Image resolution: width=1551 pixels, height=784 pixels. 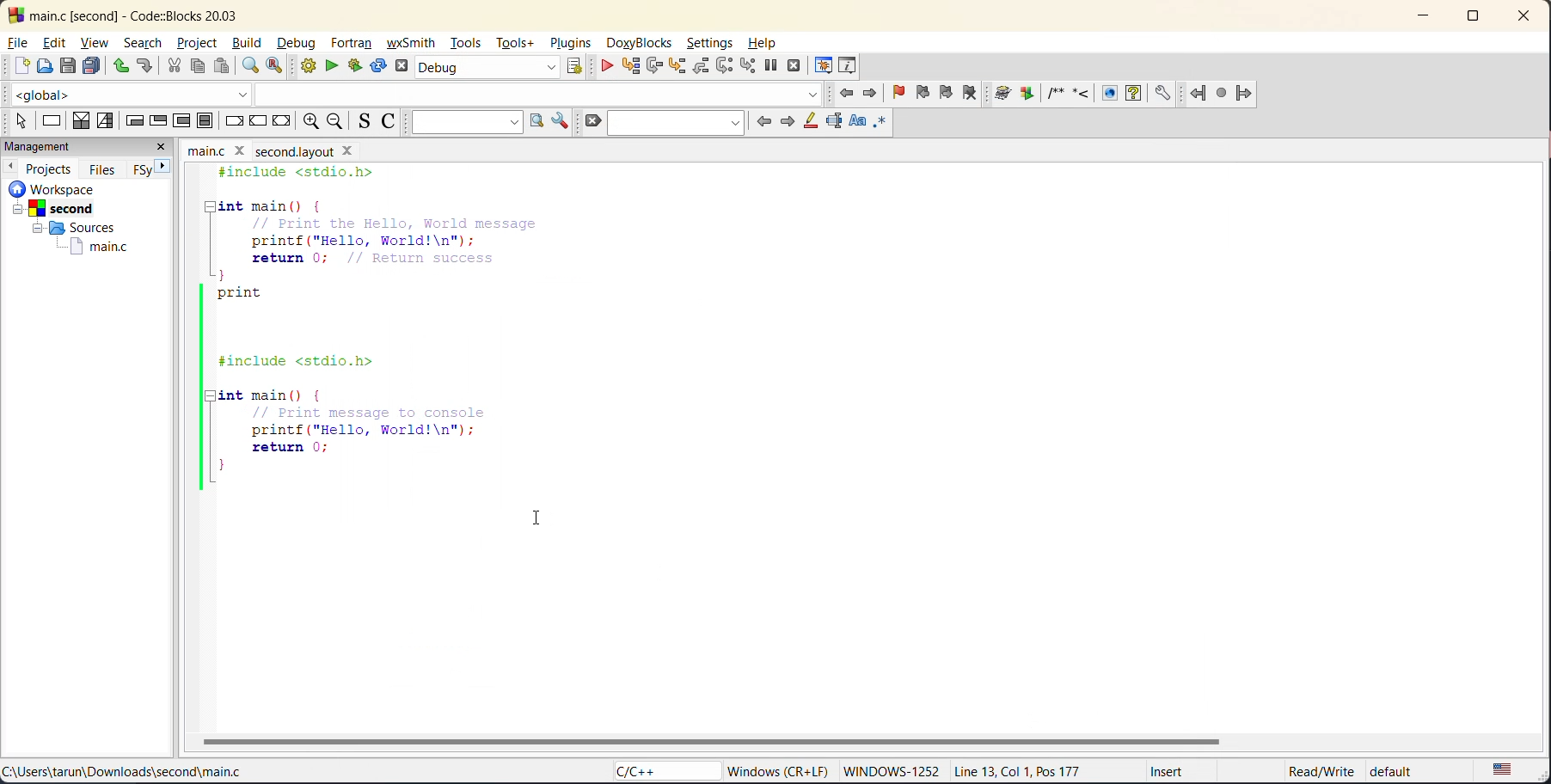 I want to click on toggle source, so click(x=366, y=122).